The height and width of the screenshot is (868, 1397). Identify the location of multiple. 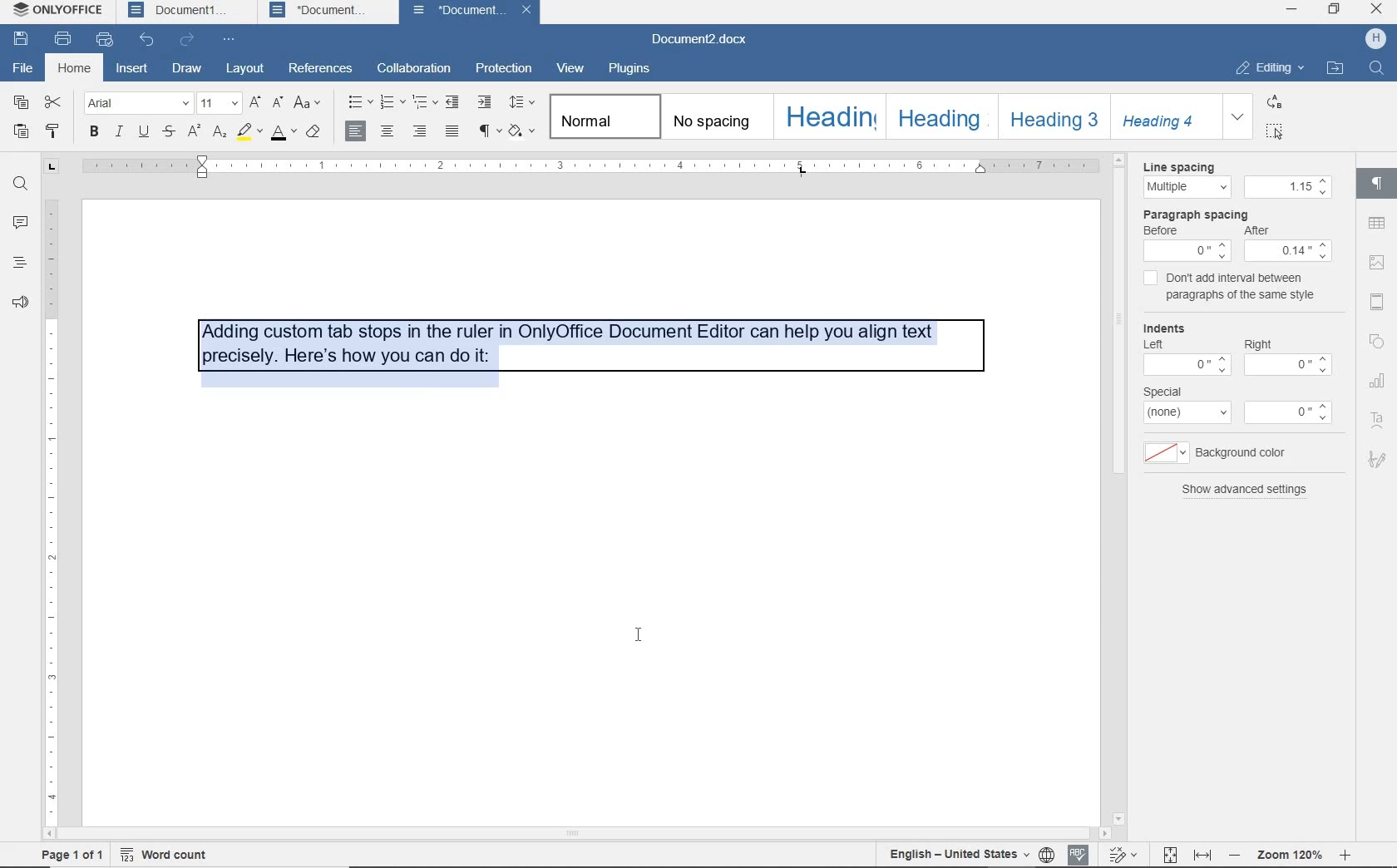
(1186, 187).